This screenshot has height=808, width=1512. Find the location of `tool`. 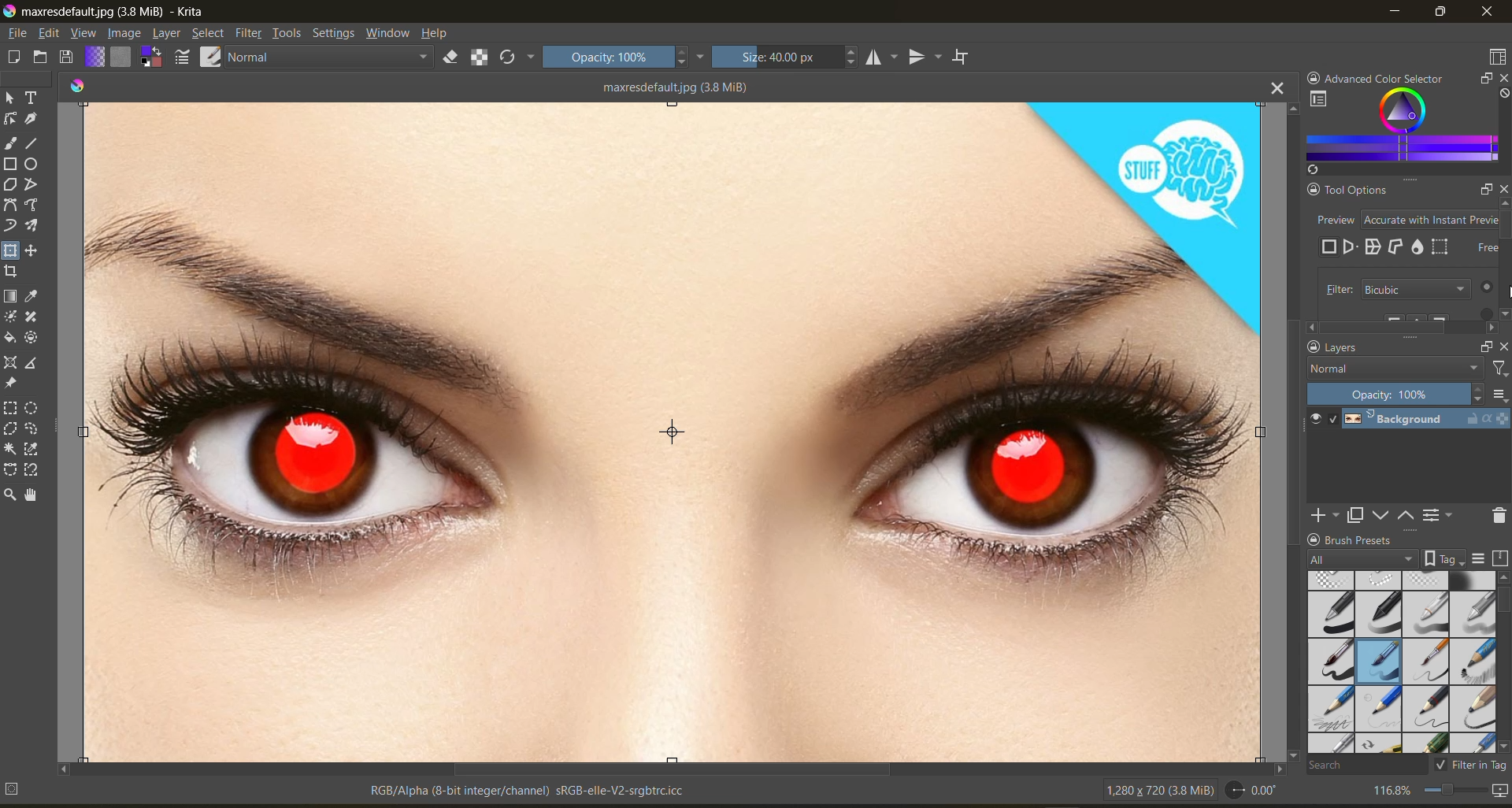

tool is located at coordinates (32, 496).